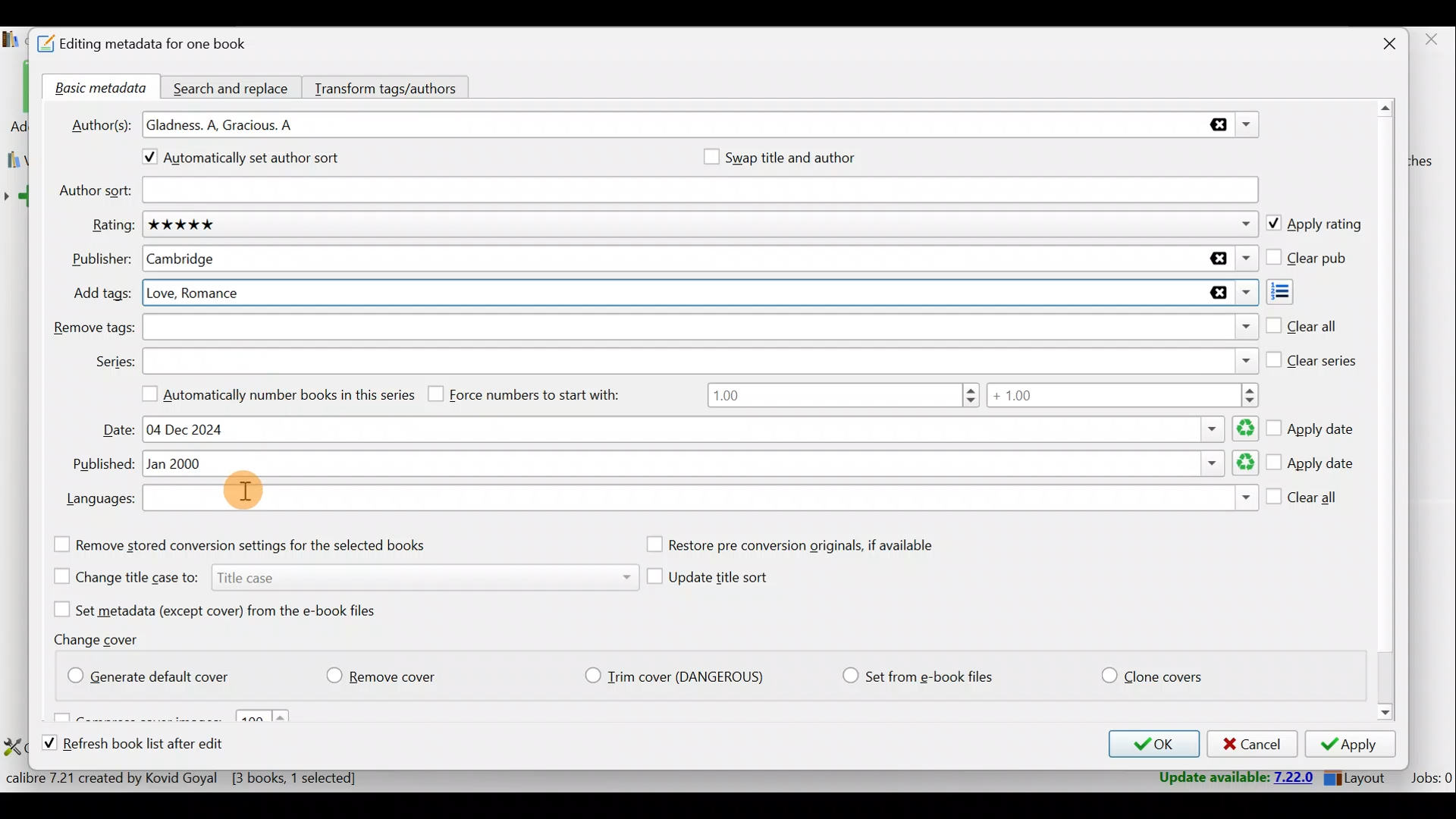  What do you see at coordinates (698, 327) in the screenshot?
I see `Remove tags` at bounding box center [698, 327].